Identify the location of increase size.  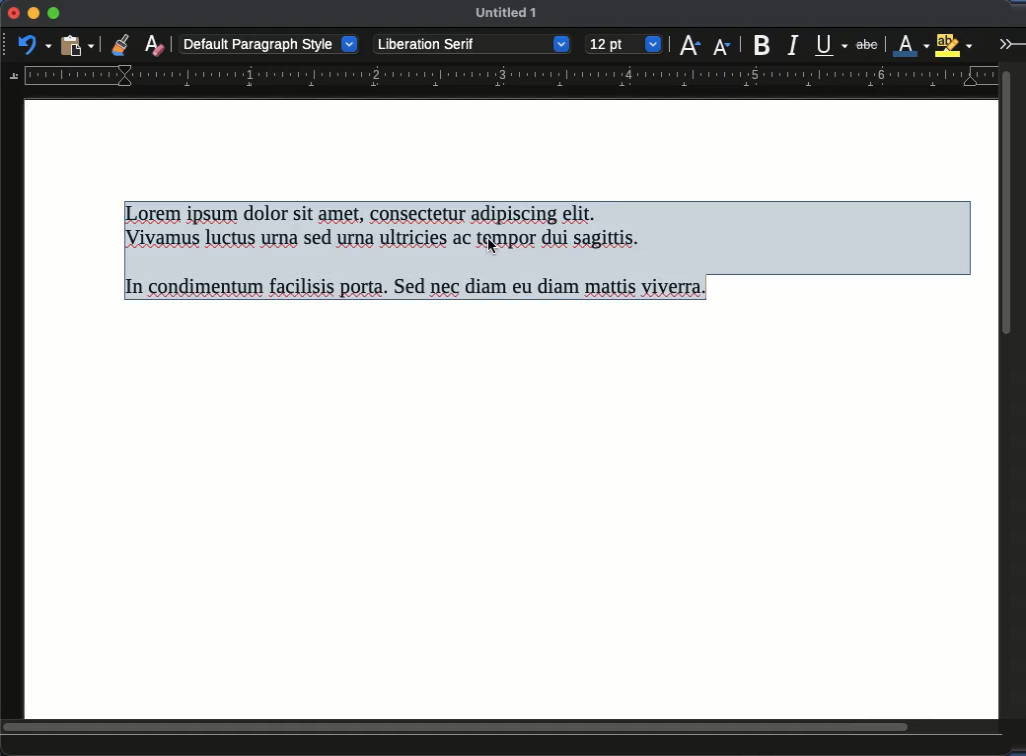
(689, 44).